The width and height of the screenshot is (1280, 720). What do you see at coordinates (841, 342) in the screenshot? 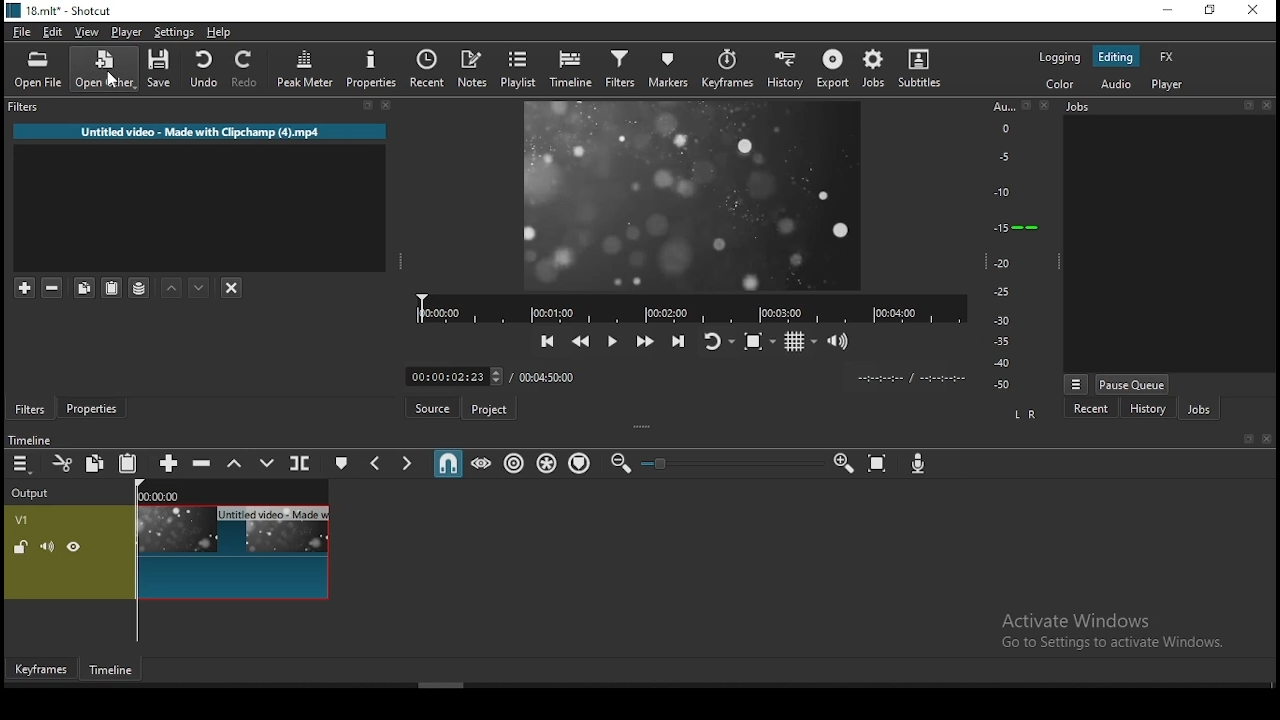
I see `show video volume control` at bounding box center [841, 342].